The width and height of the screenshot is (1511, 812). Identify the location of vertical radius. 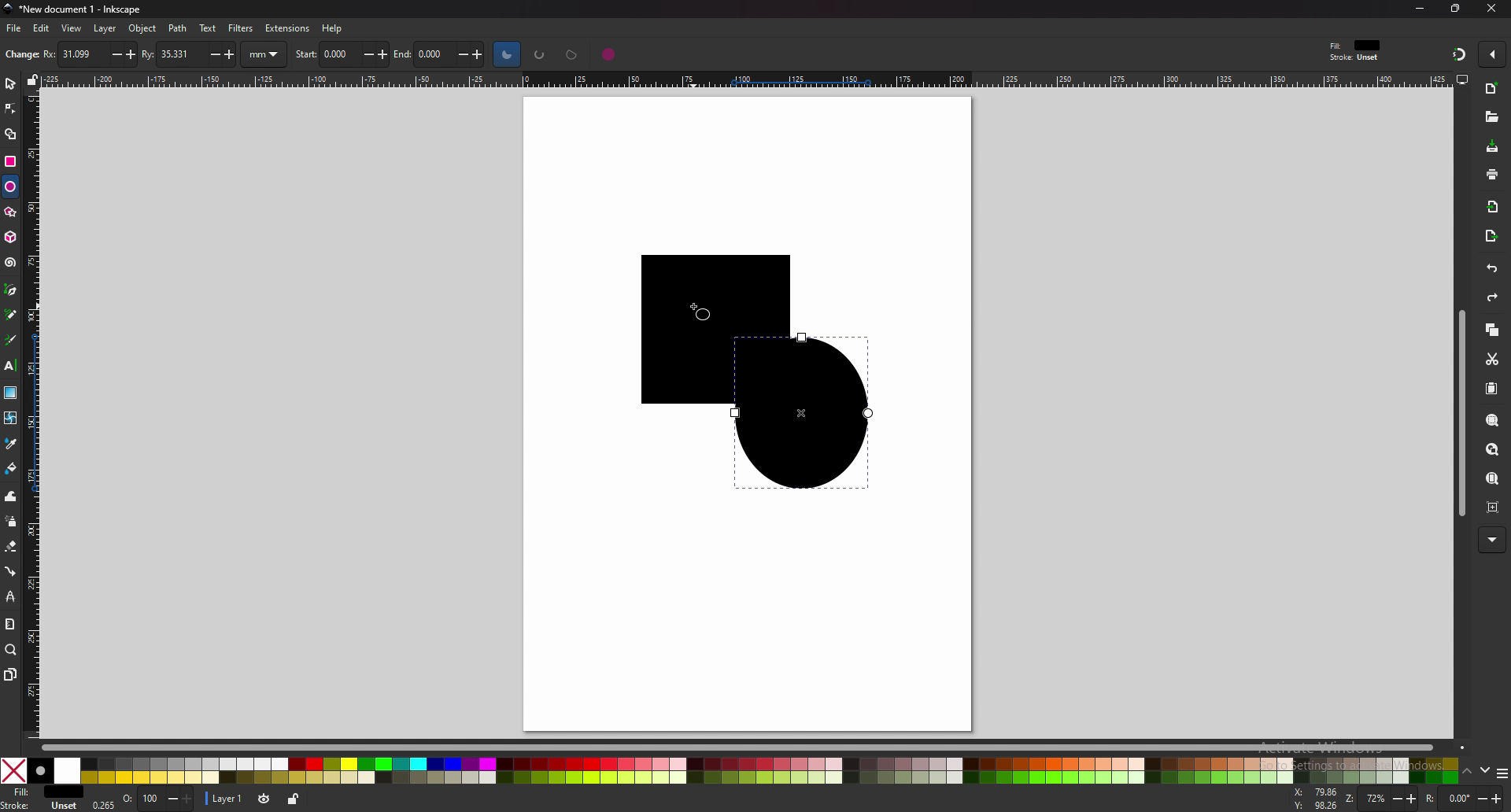
(190, 53).